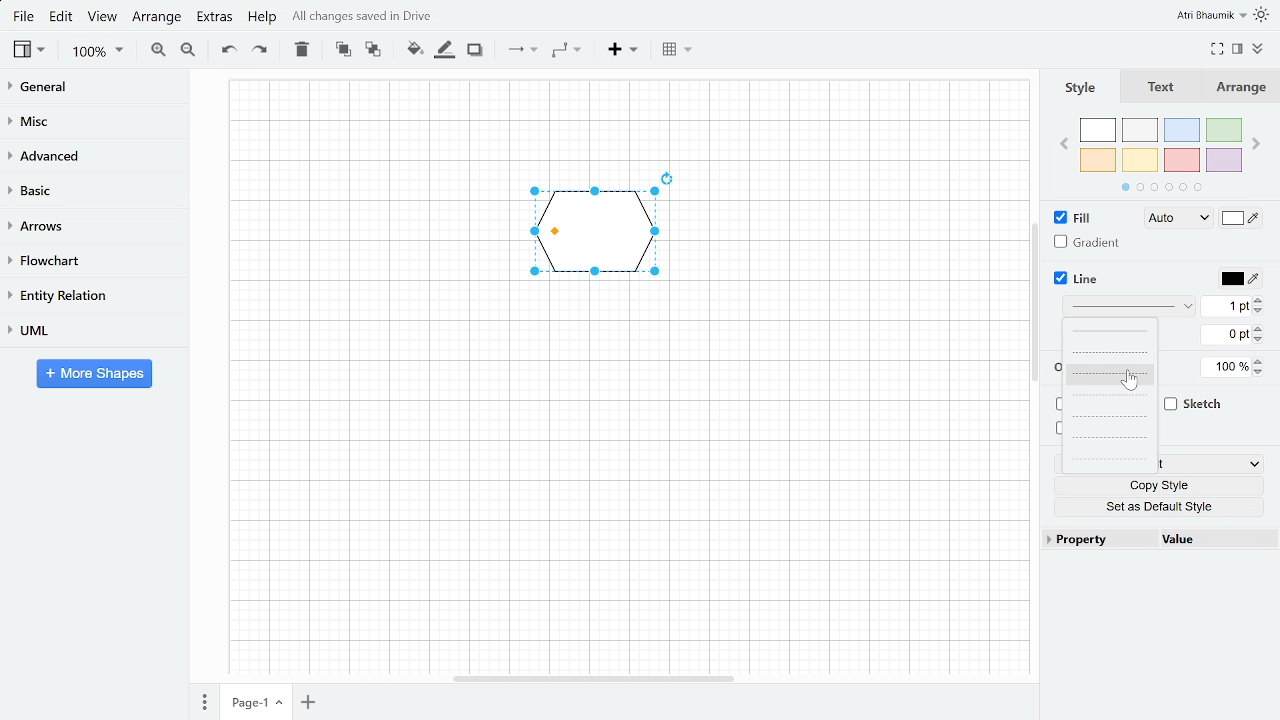  Describe the element at coordinates (1238, 88) in the screenshot. I see `Arrange` at that location.